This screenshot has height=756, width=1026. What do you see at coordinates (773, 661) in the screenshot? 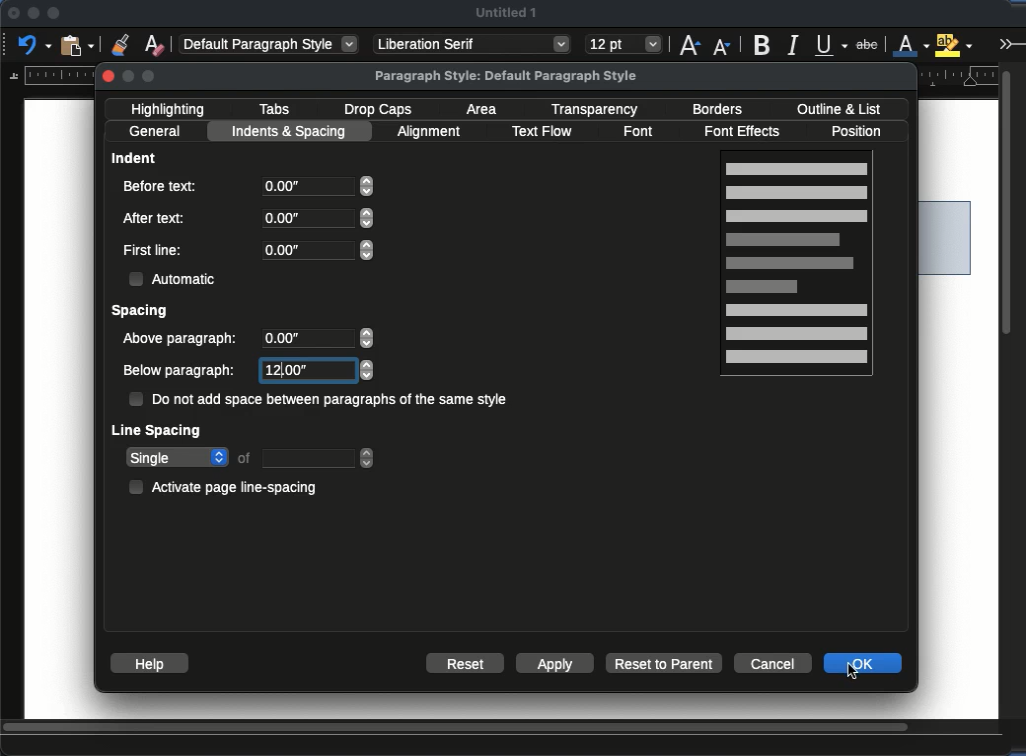
I see `cancel` at bounding box center [773, 661].